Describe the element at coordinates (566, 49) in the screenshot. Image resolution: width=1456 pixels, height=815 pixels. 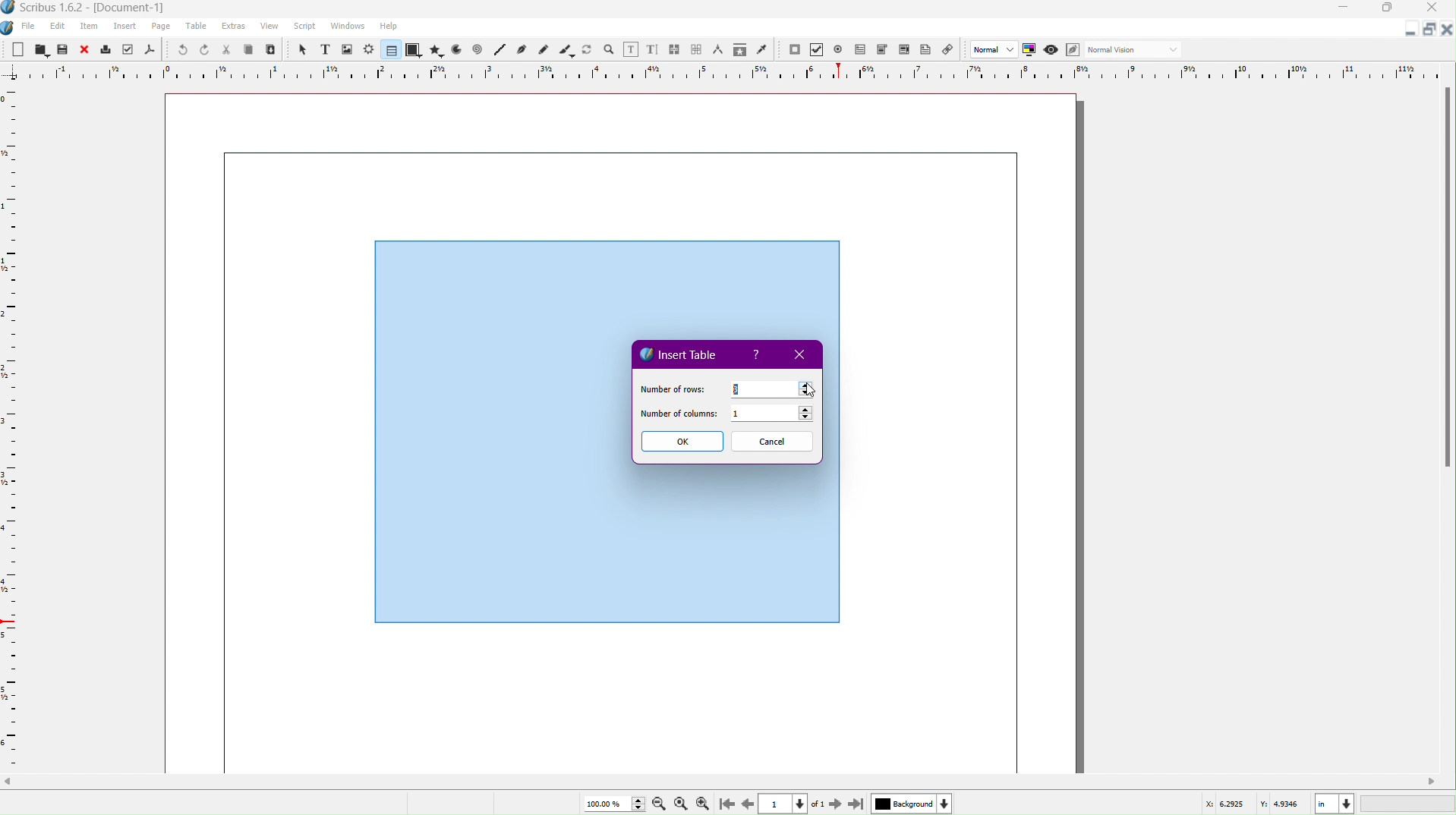
I see `Calligraphic Line` at that location.